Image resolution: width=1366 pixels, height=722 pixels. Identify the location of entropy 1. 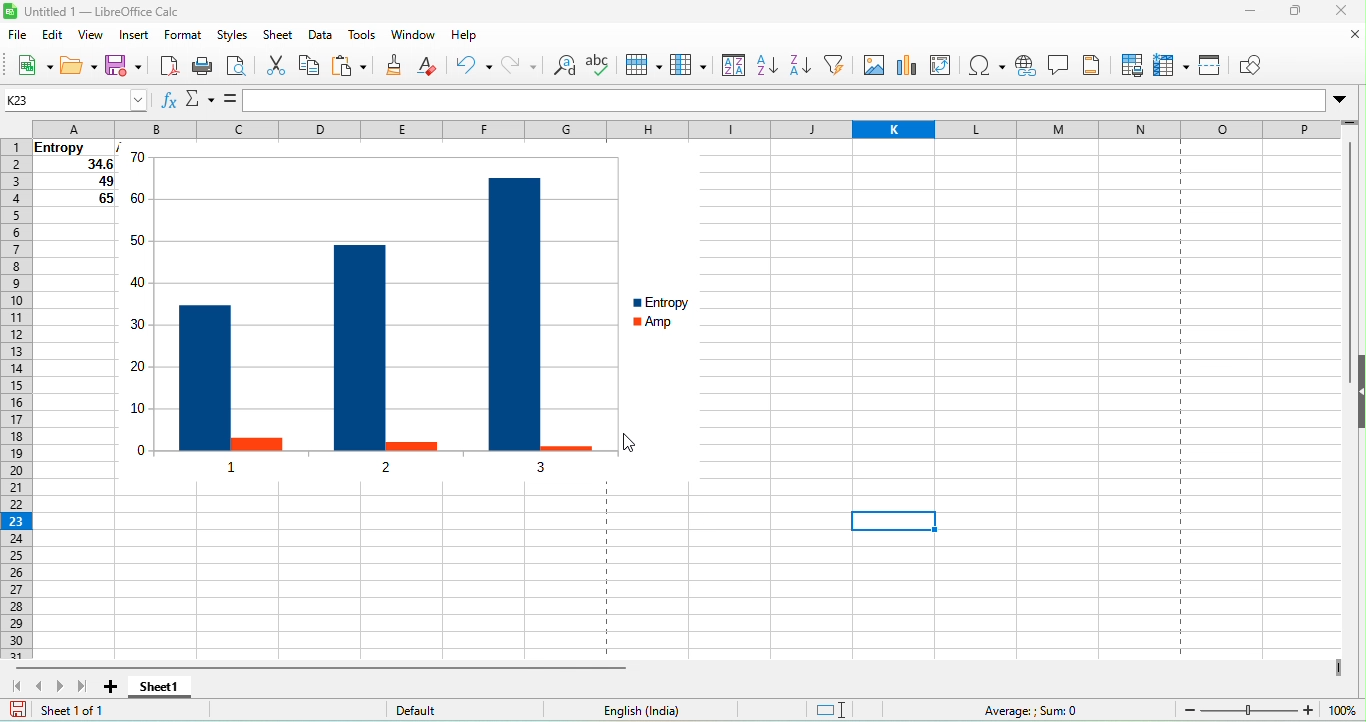
(204, 378).